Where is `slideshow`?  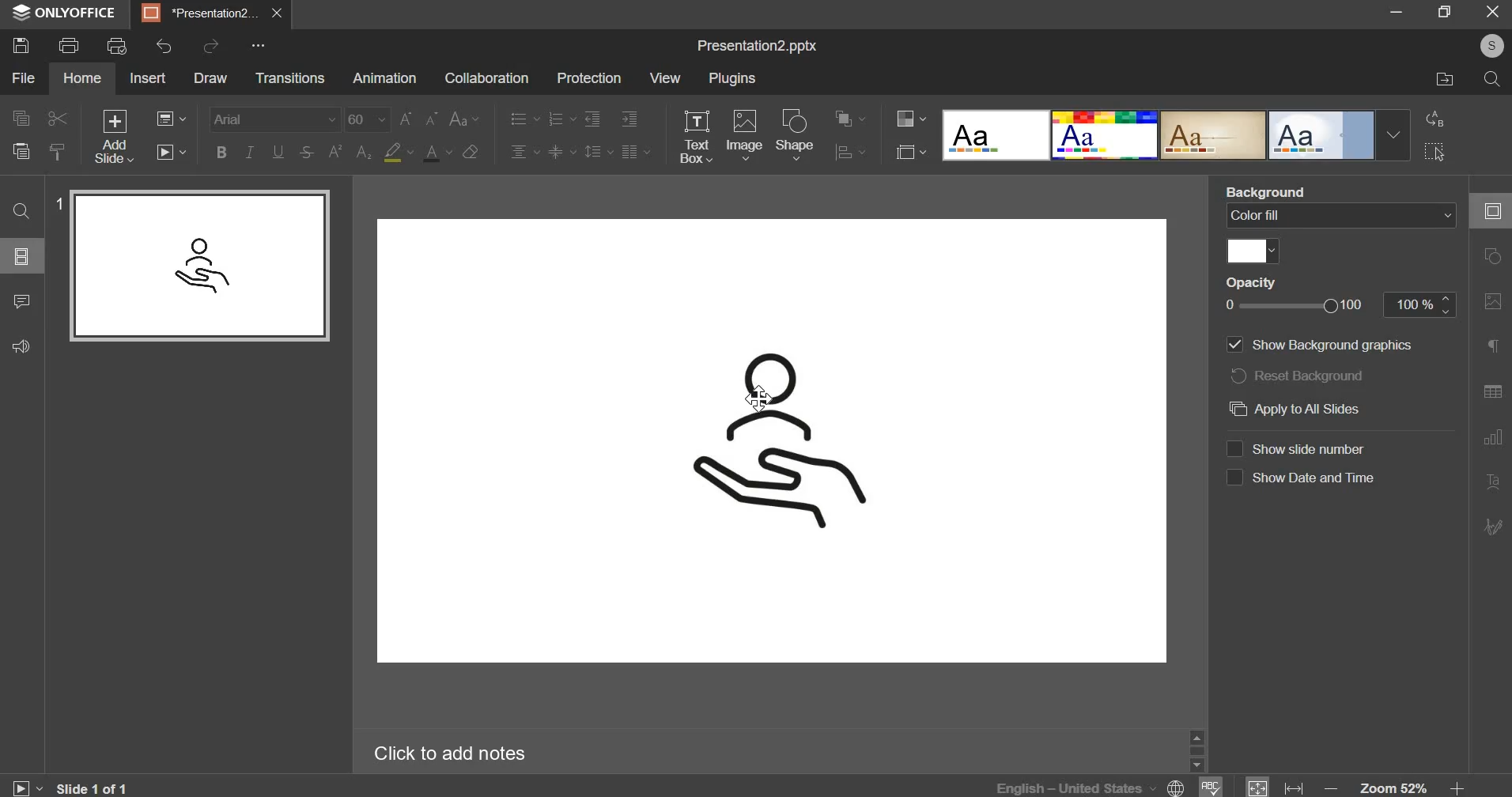
slideshow is located at coordinates (169, 152).